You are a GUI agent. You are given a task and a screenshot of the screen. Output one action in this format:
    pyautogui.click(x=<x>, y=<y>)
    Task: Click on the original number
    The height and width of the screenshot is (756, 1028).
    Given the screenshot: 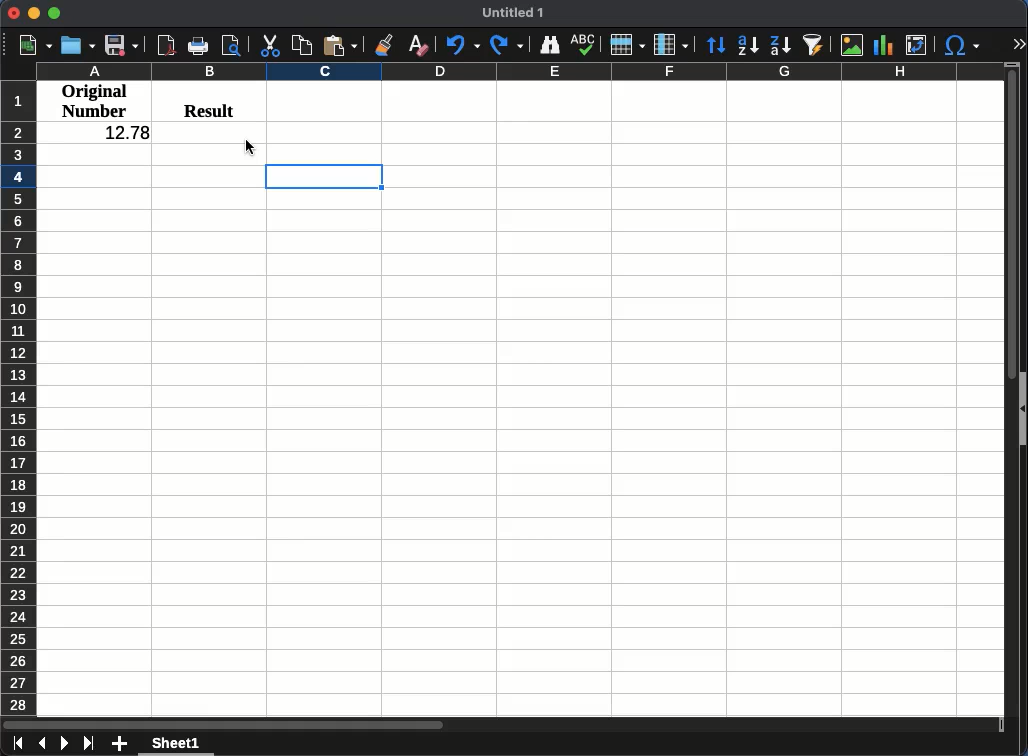 What is the action you would take?
    pyautogui.click(x=94, y=101)
    